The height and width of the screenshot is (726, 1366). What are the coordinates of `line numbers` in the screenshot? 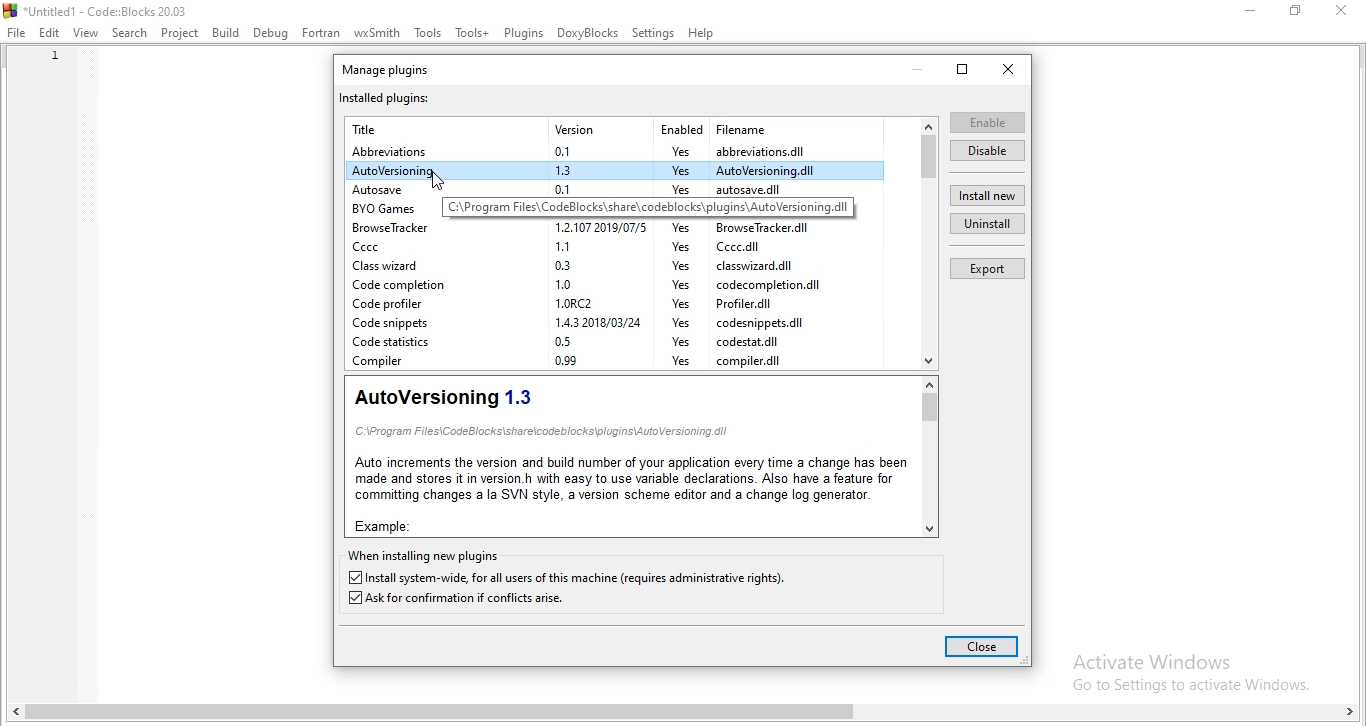 It's located at (51, 74).